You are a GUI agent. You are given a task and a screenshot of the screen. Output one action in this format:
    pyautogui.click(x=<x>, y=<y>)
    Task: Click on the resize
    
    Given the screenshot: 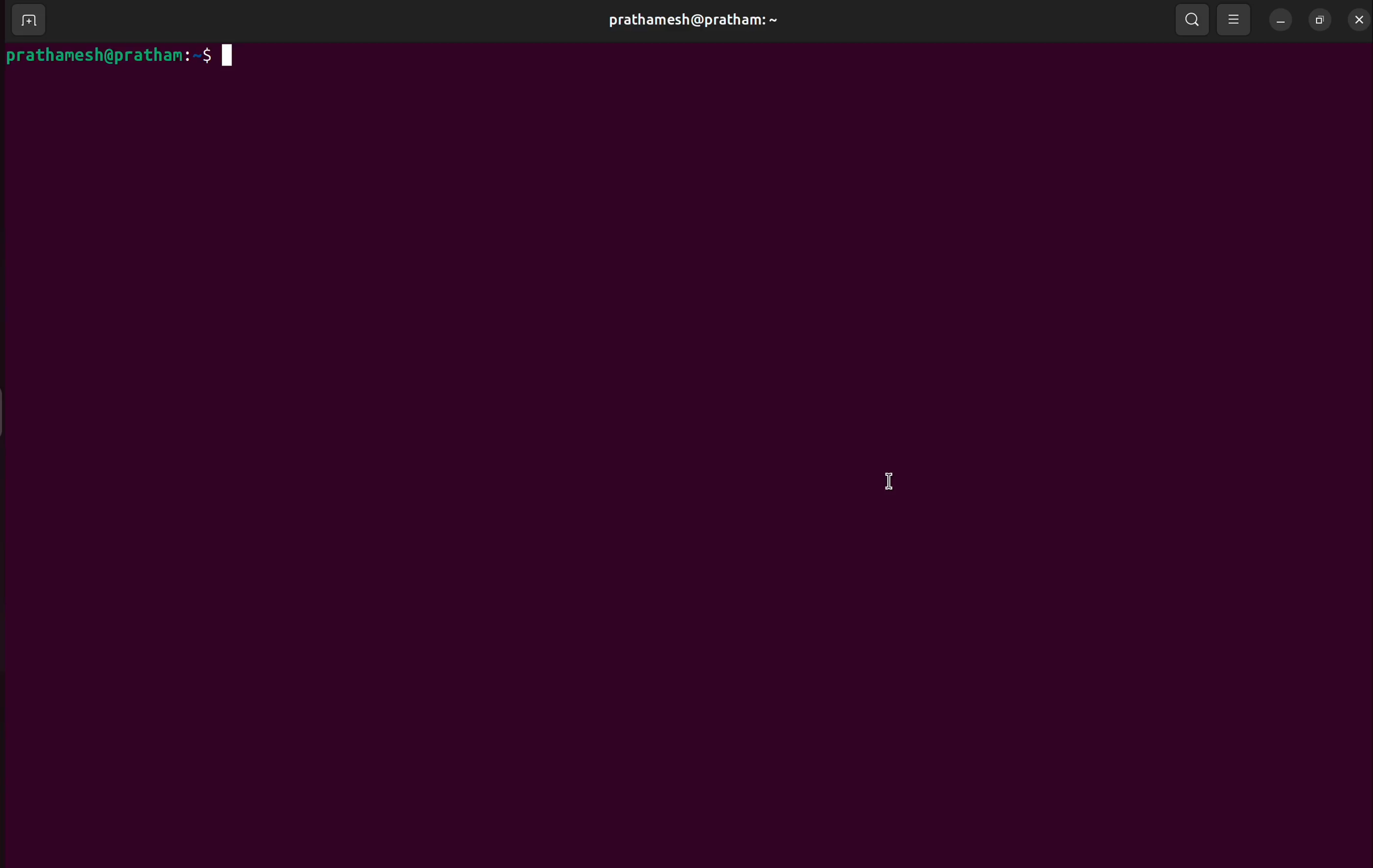 What is the action you would take?
    pyautogui.click(x=1320, y=18)
    